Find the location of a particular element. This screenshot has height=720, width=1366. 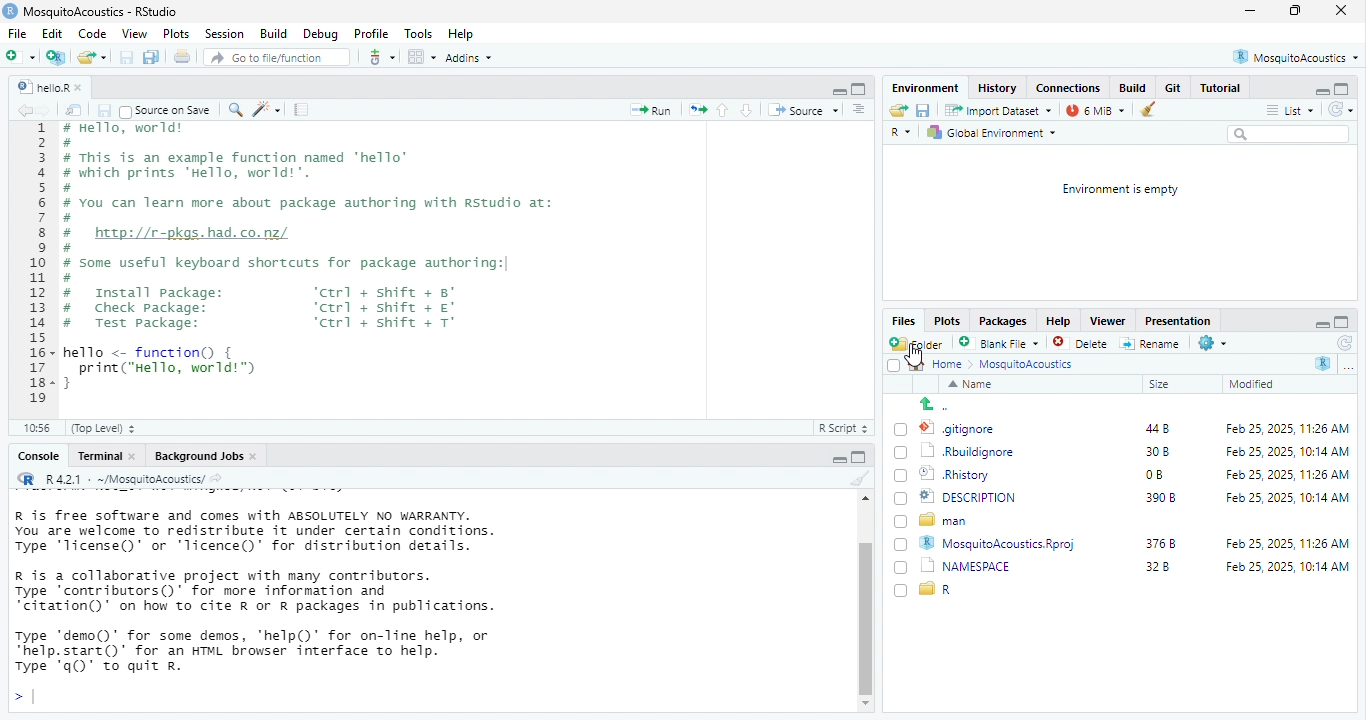

 .gitignore is located at coordinates (964, 430).